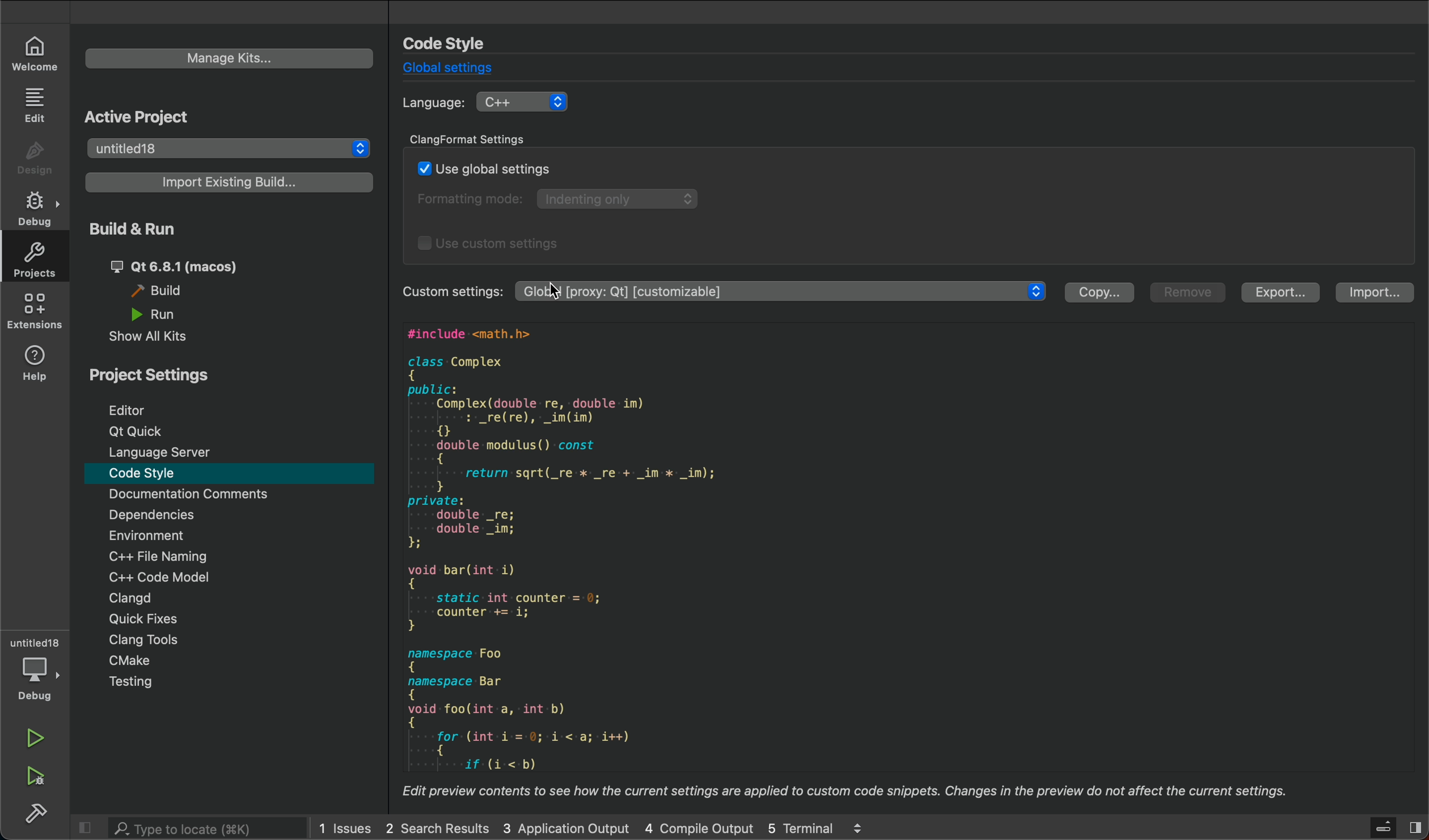 Image resolution: width=1429 pixels, height=840 pixels. What do you see at coordinates (227, 473) in the screenshot?
I see `code style` at bounding box center [227, 473].